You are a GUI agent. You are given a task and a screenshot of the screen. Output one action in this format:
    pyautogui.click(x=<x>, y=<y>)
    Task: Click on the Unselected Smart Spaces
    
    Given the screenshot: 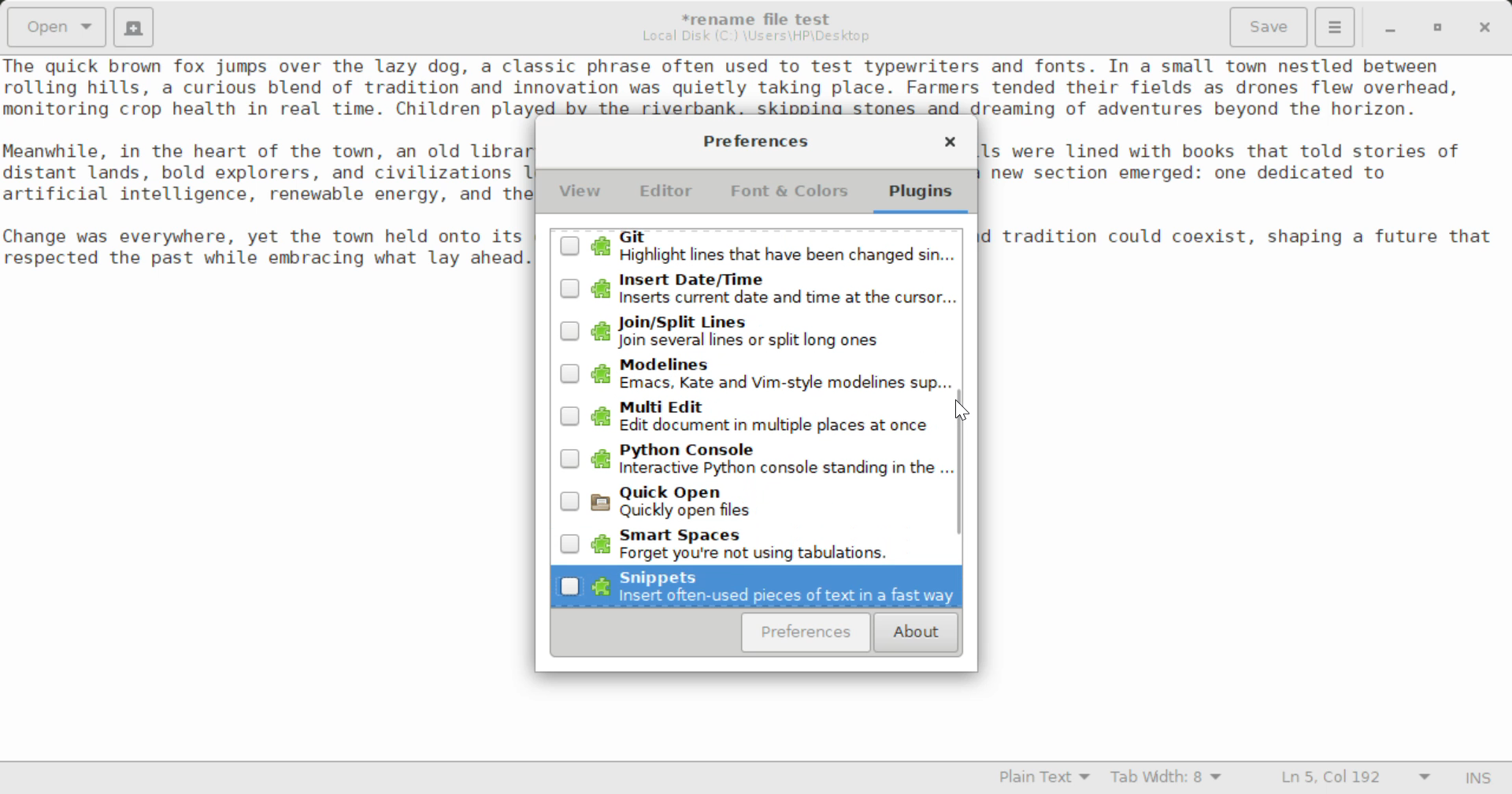 What is the action you would take?
    pyautogui.click(x=754, y=544)
    